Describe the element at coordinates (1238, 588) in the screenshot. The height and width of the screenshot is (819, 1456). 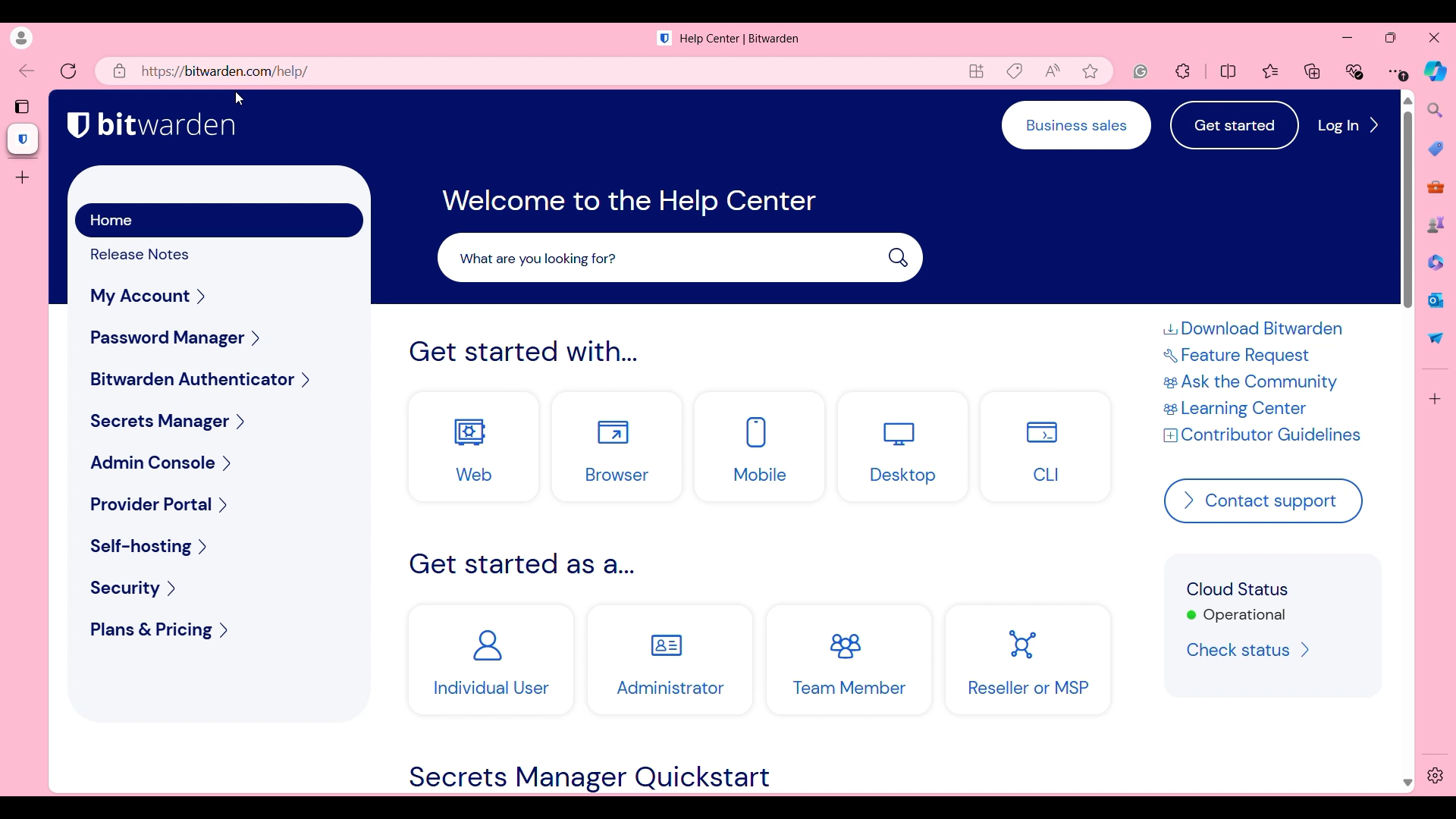
I see `Cloud status` at that location.